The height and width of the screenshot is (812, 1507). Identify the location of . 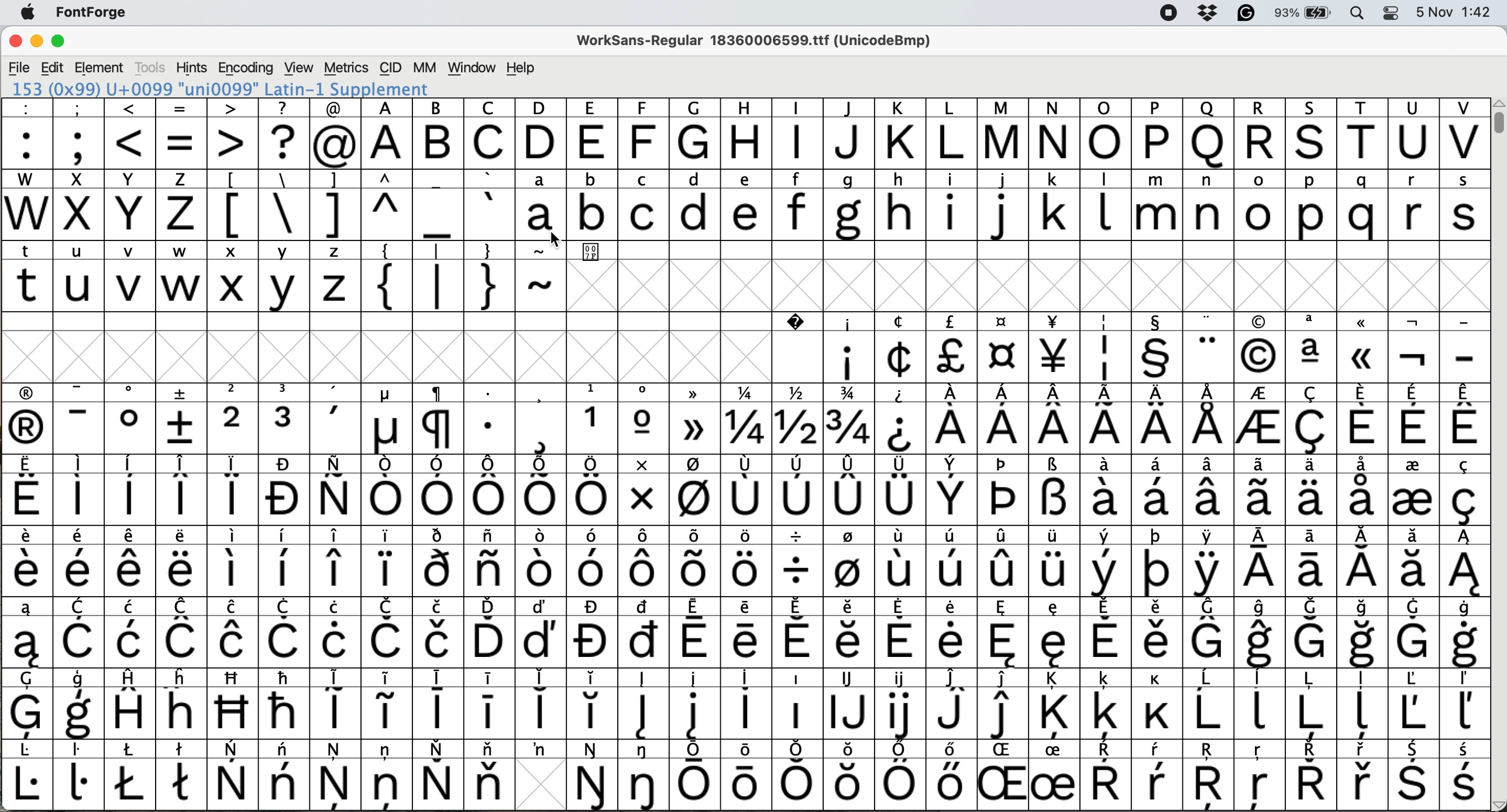
(1006, 775).